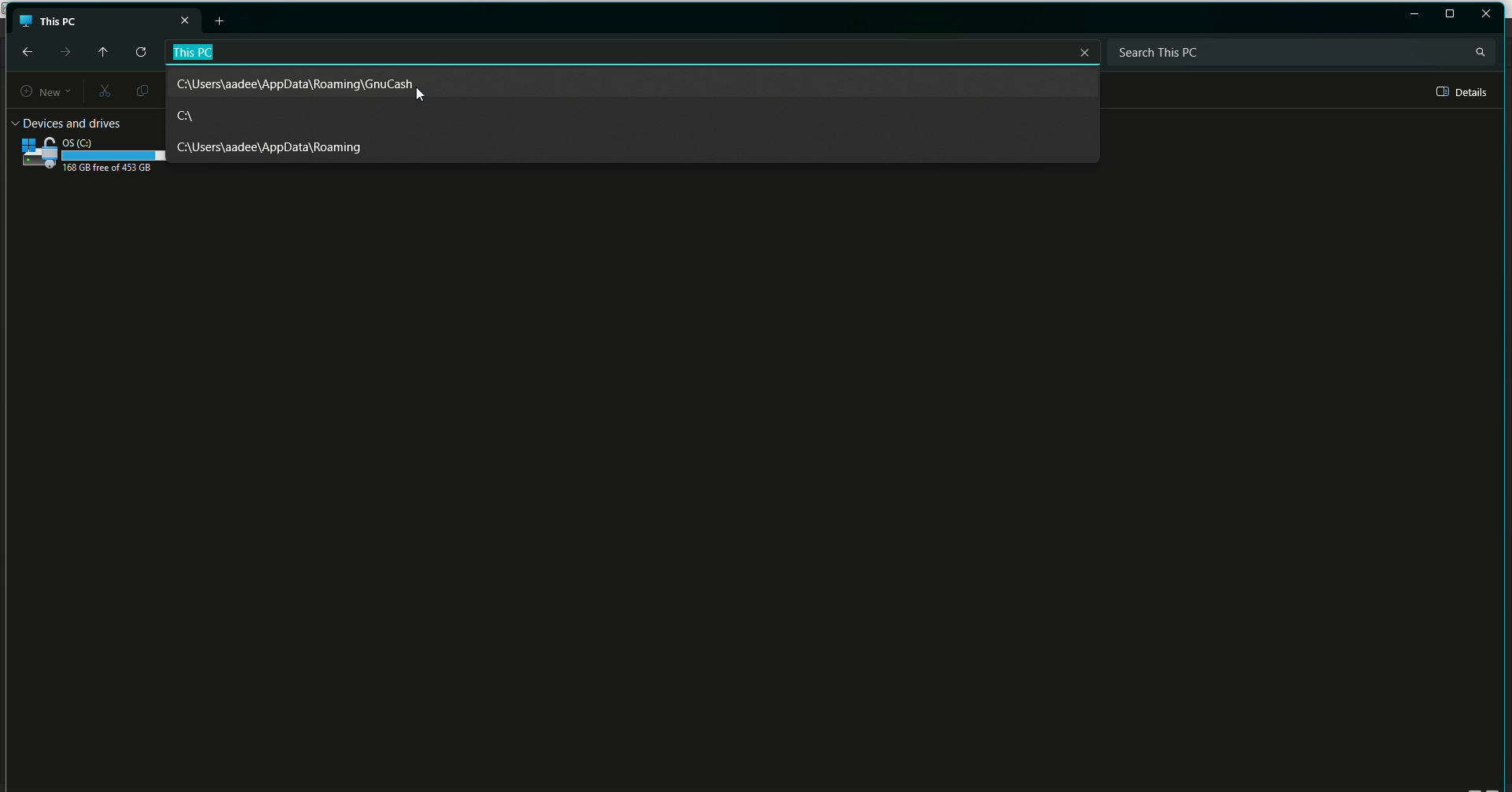 The height and width of the screenshot is (792, 1512). I want to click on File path, so click(238, 51).